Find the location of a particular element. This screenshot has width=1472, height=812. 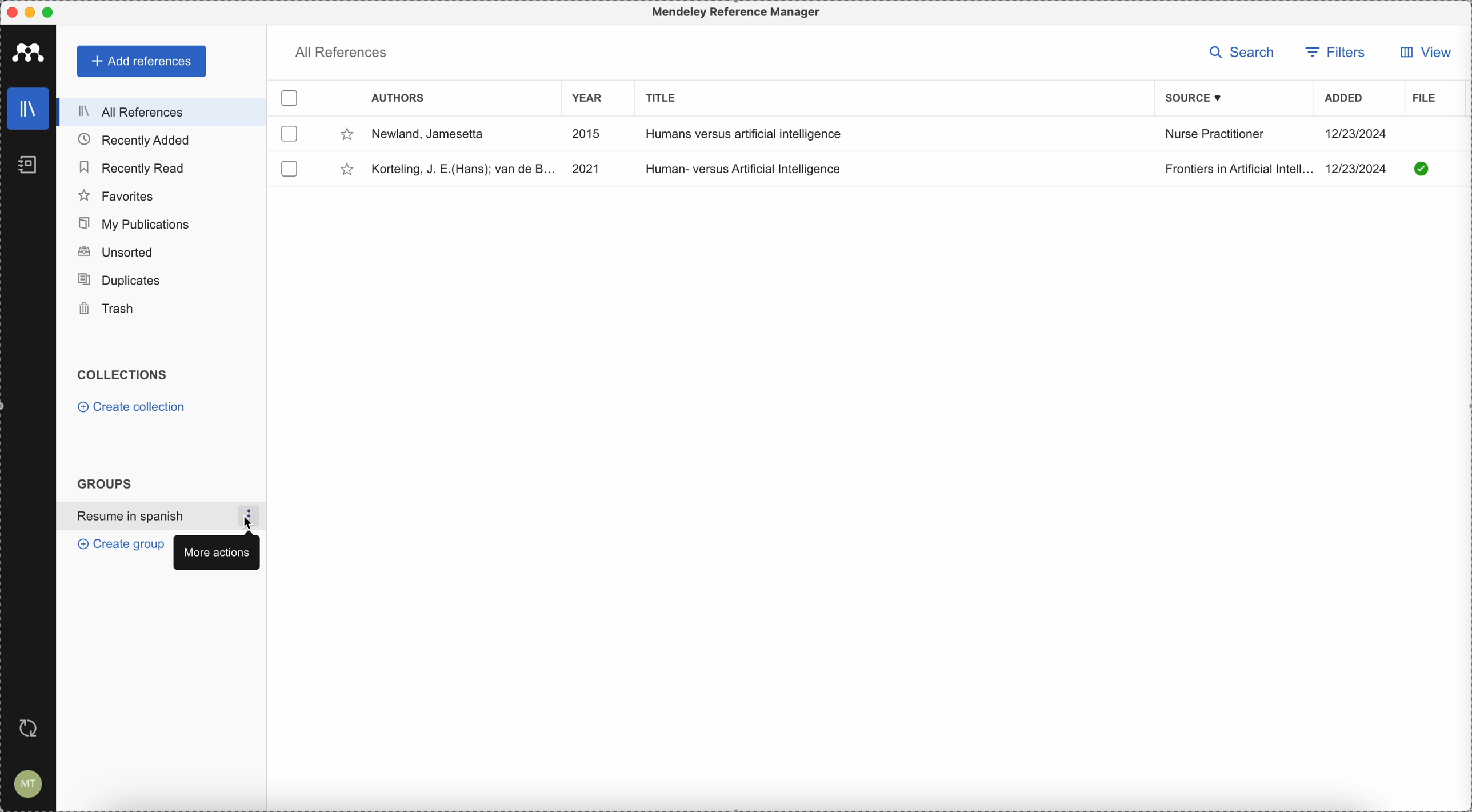

all references is located at coordinates (341, 50).